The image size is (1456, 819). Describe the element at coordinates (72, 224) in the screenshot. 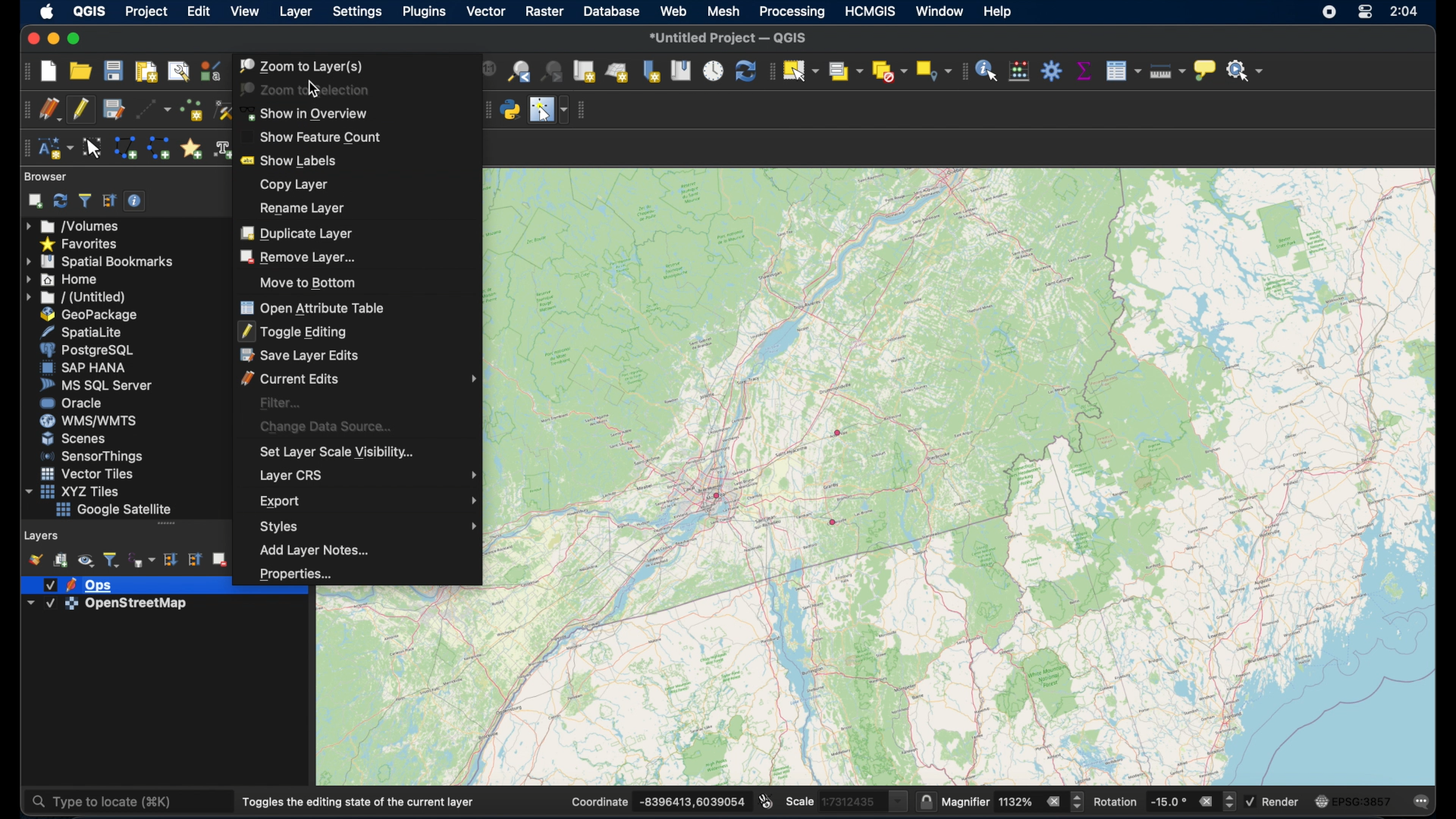

I see `volumes` at that location.